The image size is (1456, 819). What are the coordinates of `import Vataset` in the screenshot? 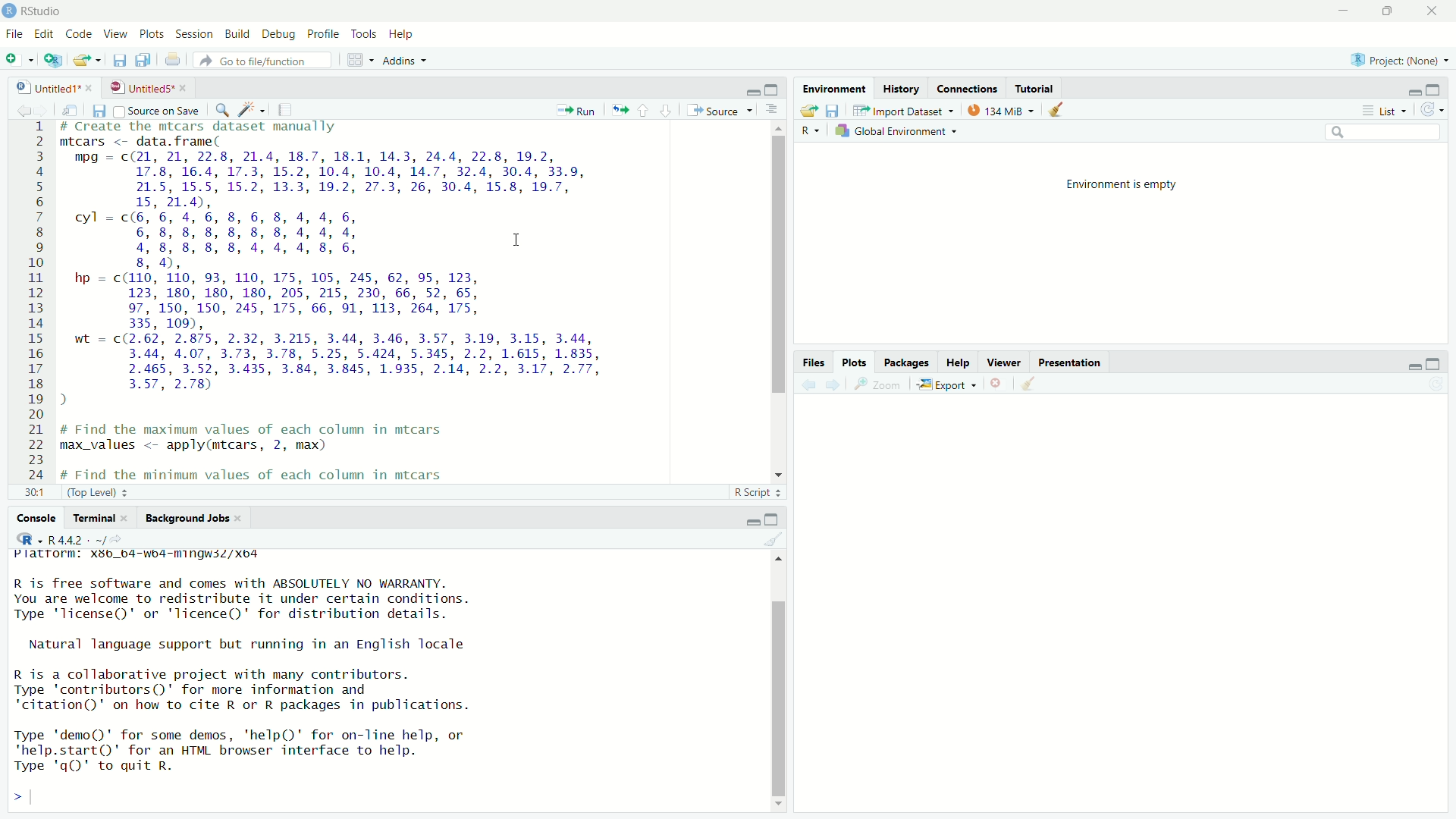 It's located at (904, 110).